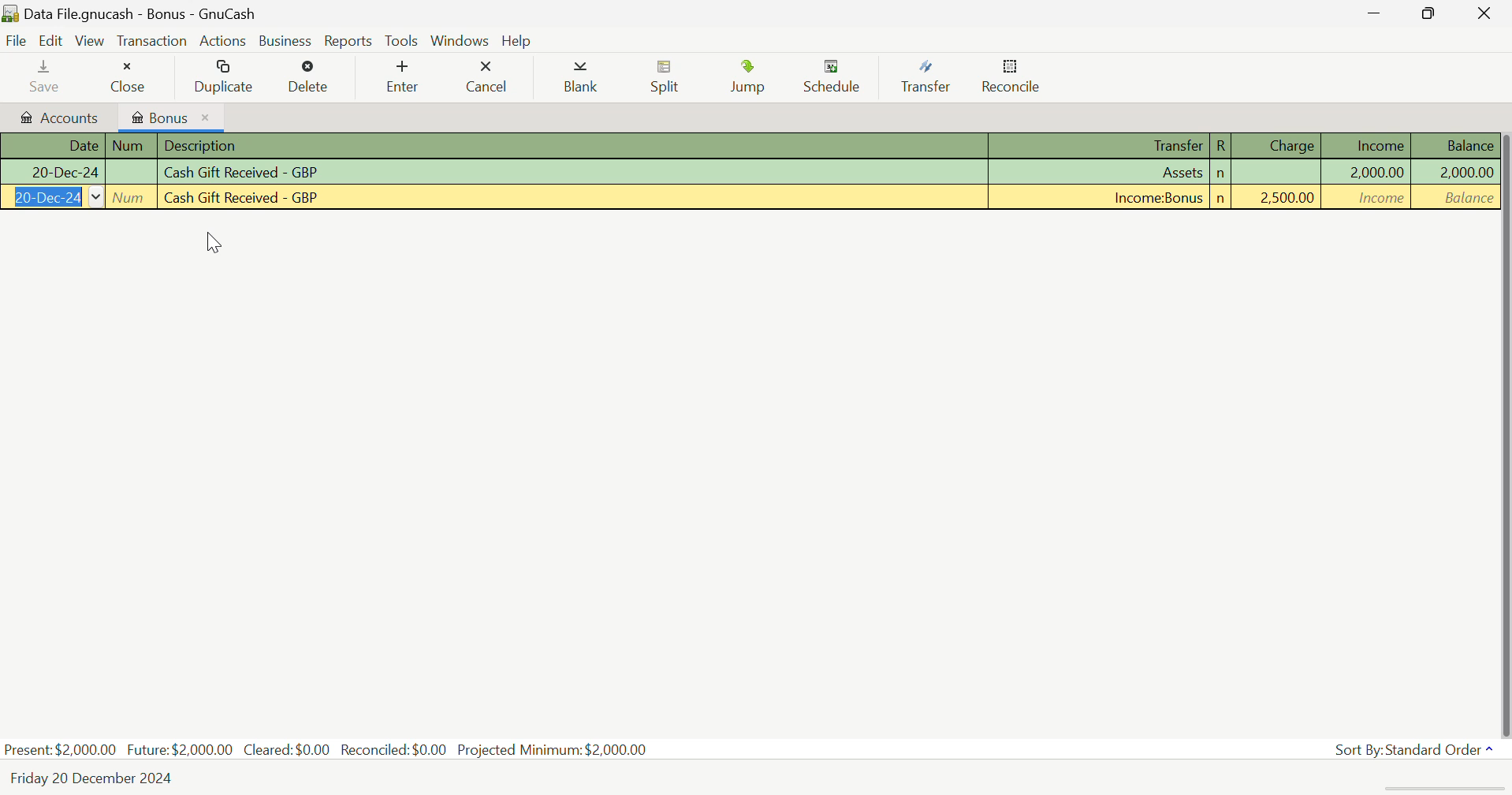  Describe the element at coordinates (345, 39) in the screenshot. I see `Reports` at that location.